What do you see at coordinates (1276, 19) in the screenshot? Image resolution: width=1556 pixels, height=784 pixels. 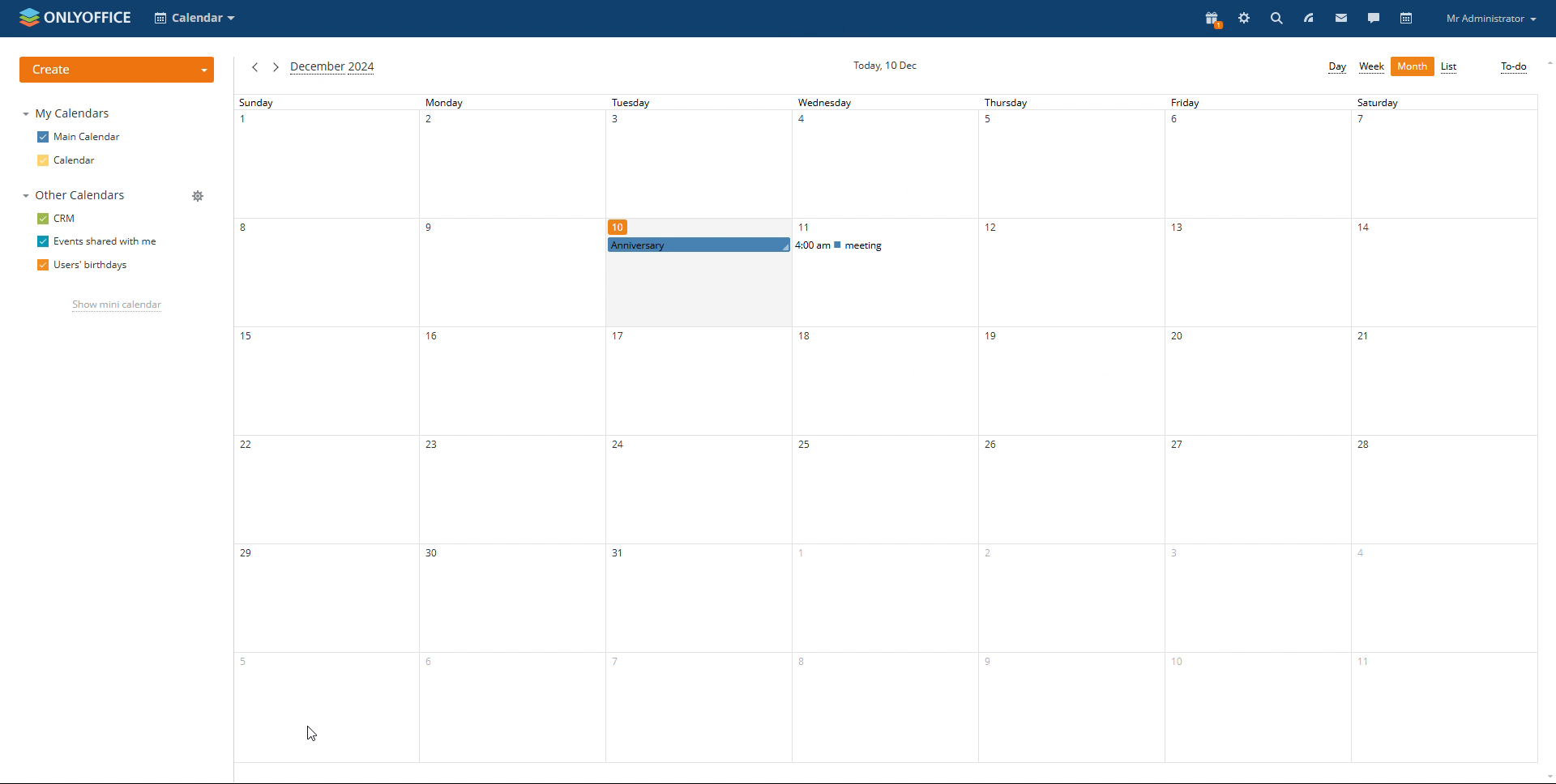 I see `search` at bounding box center [1276, 19].